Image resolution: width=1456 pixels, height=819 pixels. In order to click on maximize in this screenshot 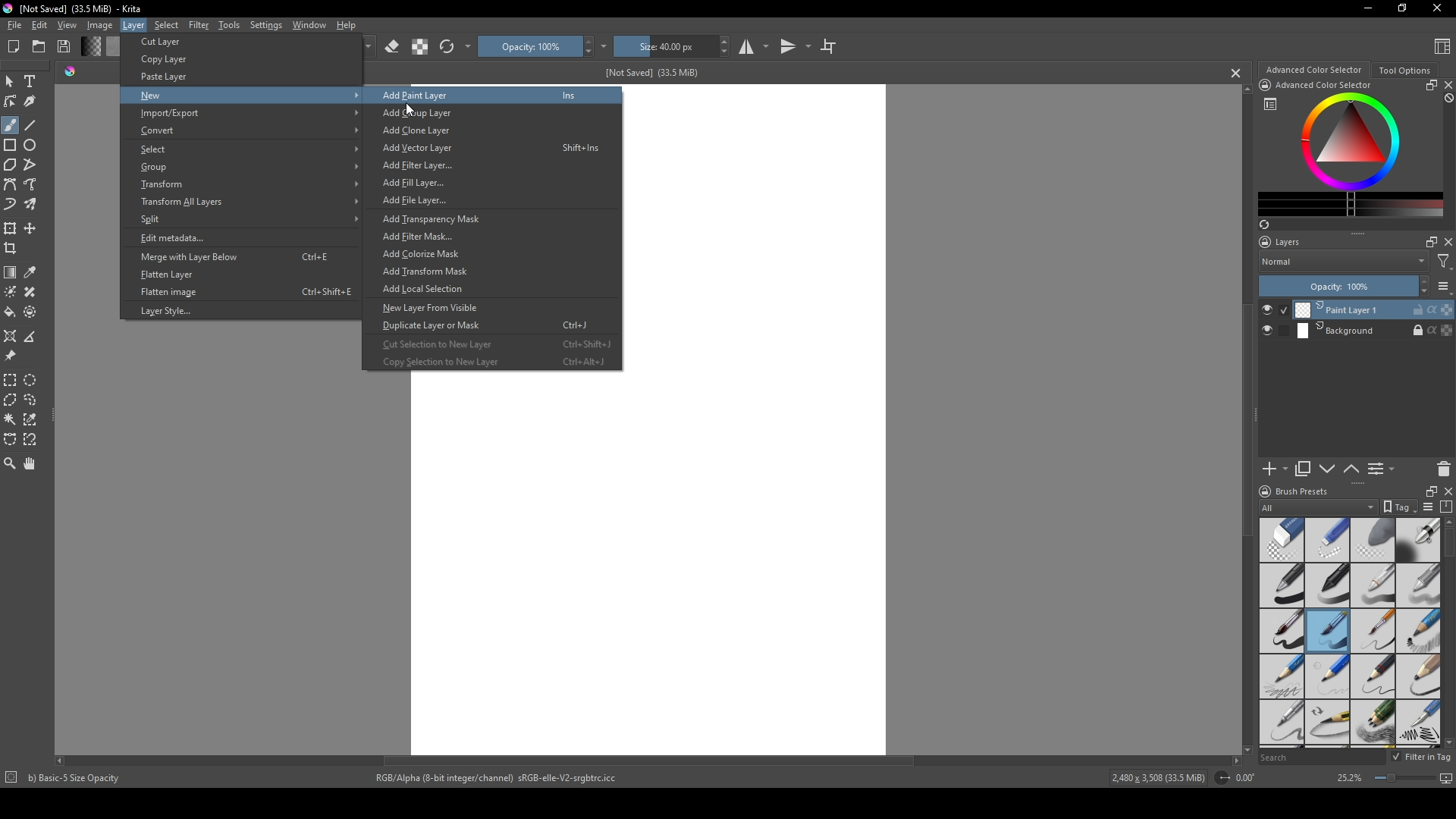, I will do `click(1428, 241)`.